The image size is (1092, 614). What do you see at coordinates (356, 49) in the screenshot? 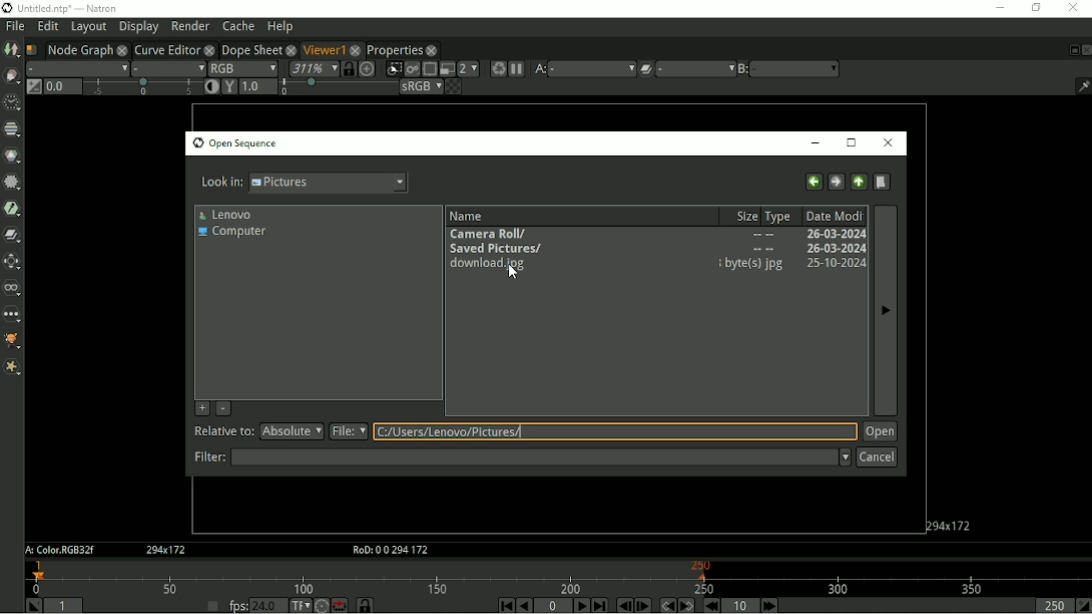
I see `close` at bounding box center [356, 49].